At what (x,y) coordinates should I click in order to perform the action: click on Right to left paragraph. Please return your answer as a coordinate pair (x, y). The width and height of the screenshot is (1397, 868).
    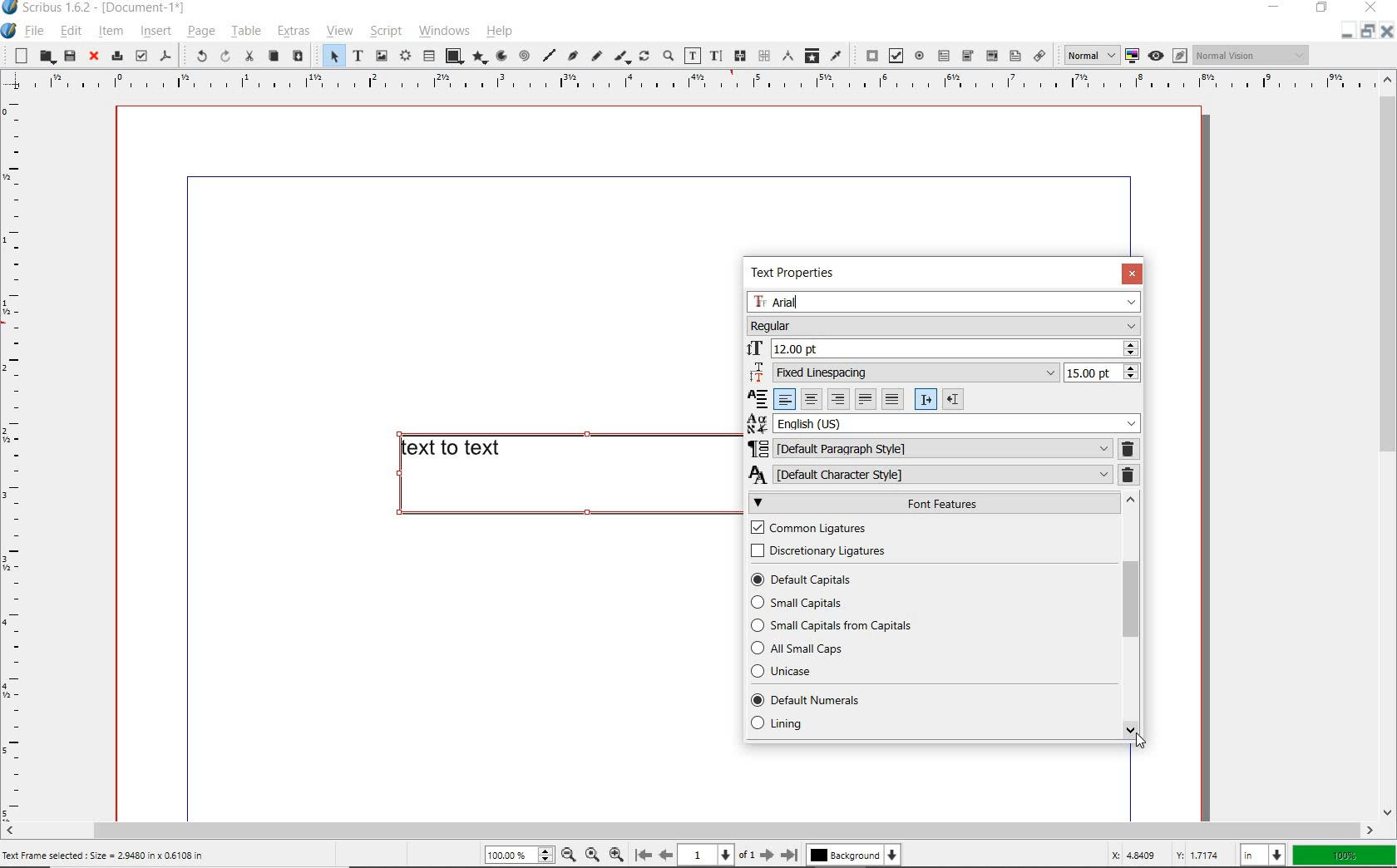
    Looking at the image, I should click on (954, 398).